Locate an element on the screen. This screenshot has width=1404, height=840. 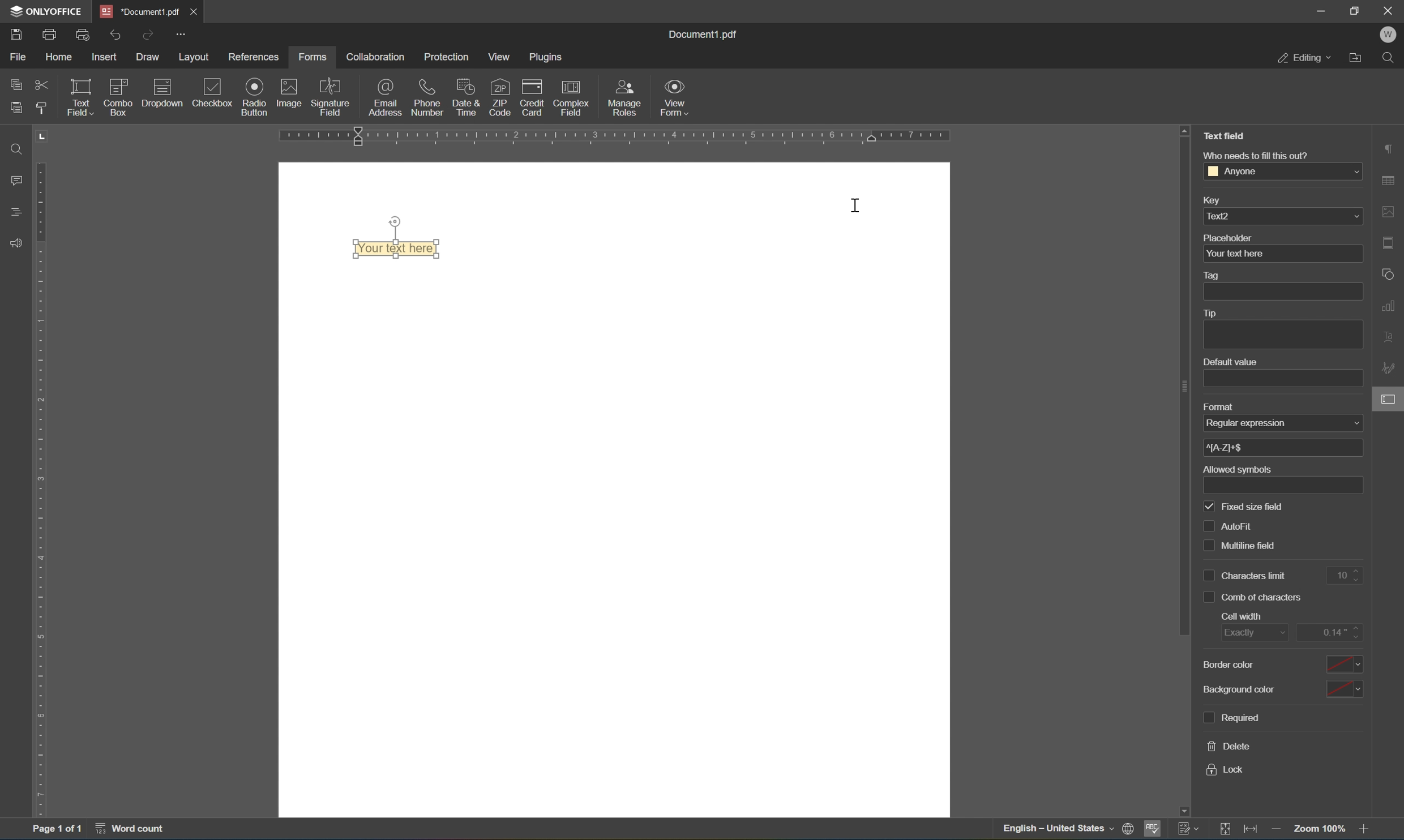
0.14 is located at coordinates (1333, 632).